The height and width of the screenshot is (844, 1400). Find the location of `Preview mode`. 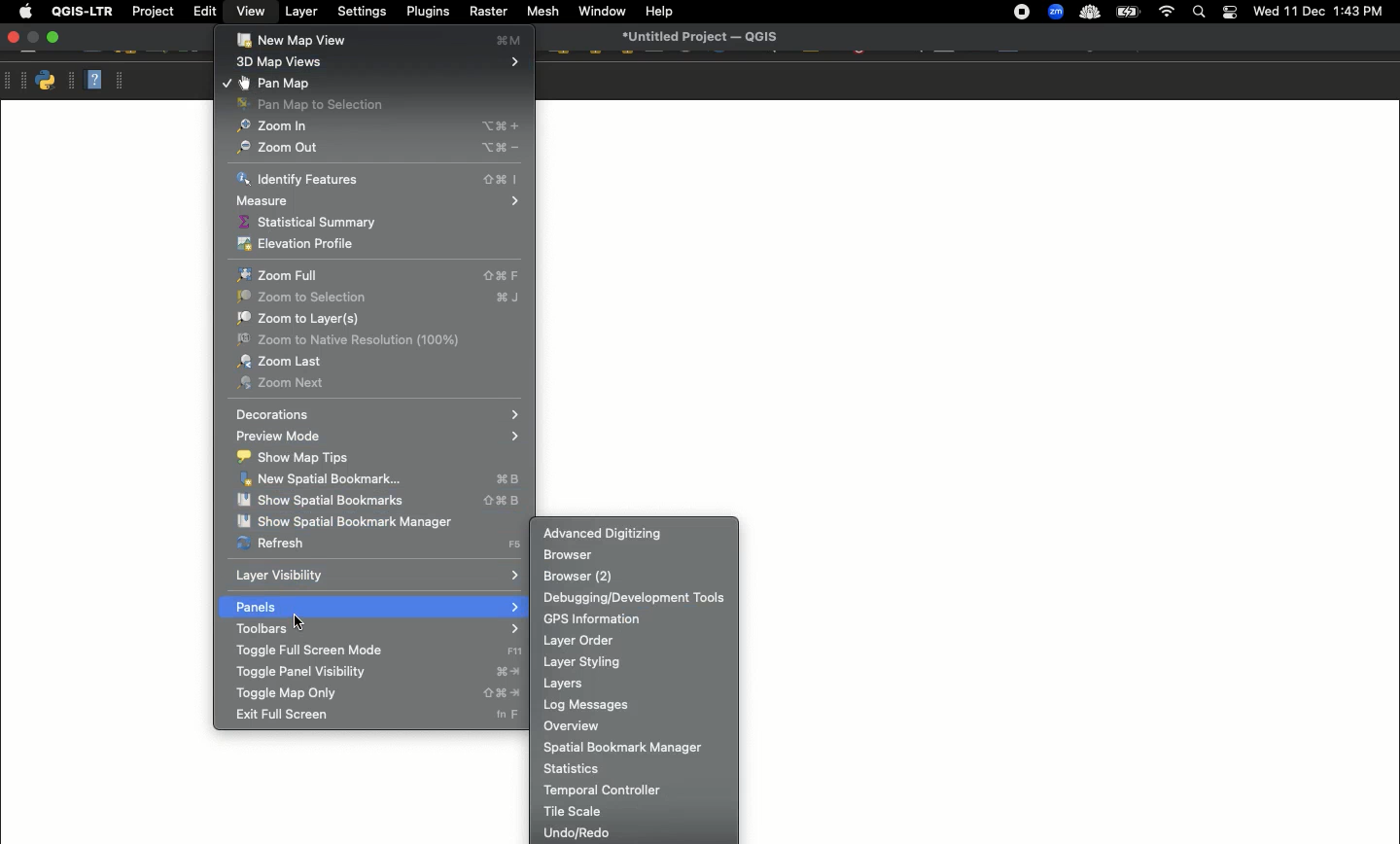

Preview mode is located at coordinates (377, 436).